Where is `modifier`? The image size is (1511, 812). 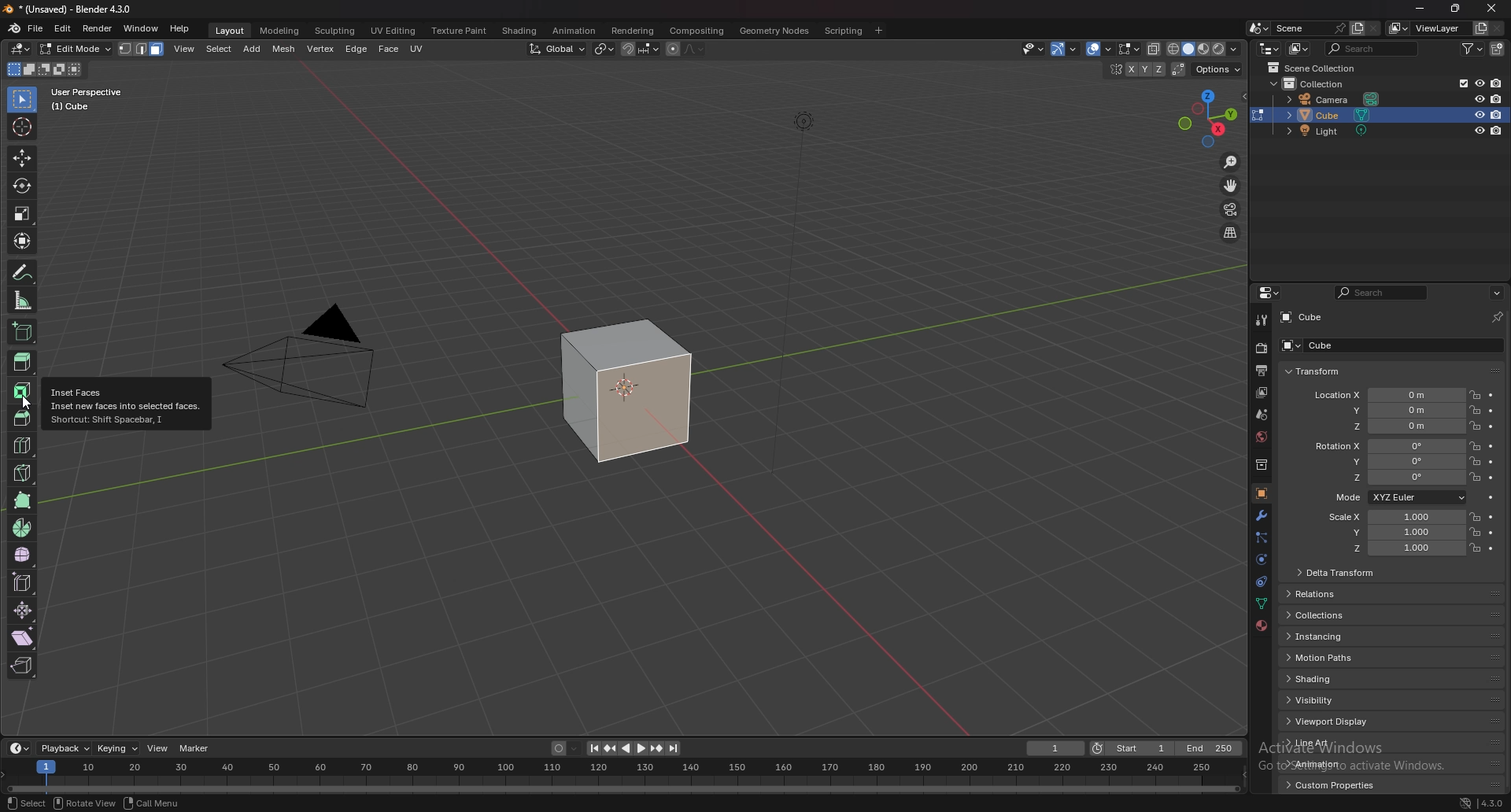 modifier is located at coordinates (1262, 515).